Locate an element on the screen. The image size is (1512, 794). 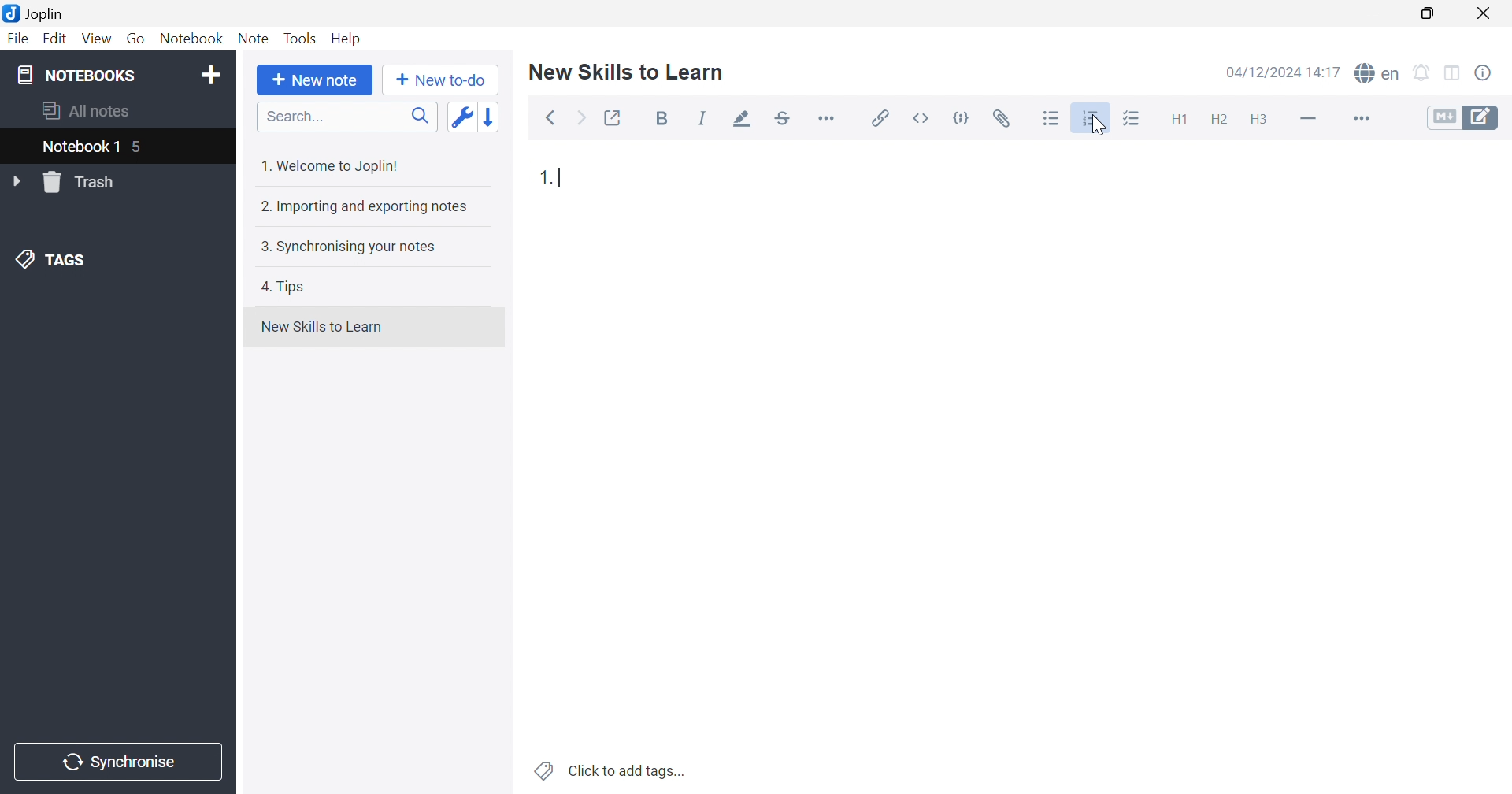
Notebook1 is located at coordinates (78, 146).